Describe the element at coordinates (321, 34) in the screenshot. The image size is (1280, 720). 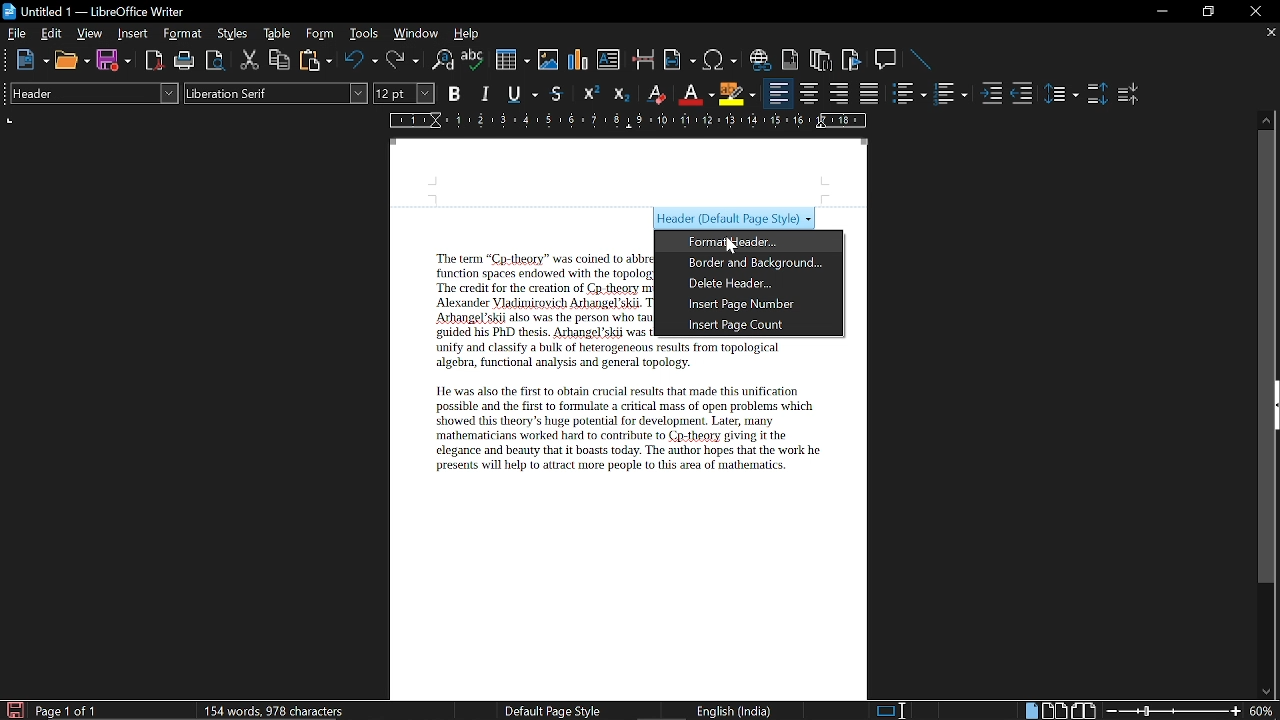
I see `Form` at that location.